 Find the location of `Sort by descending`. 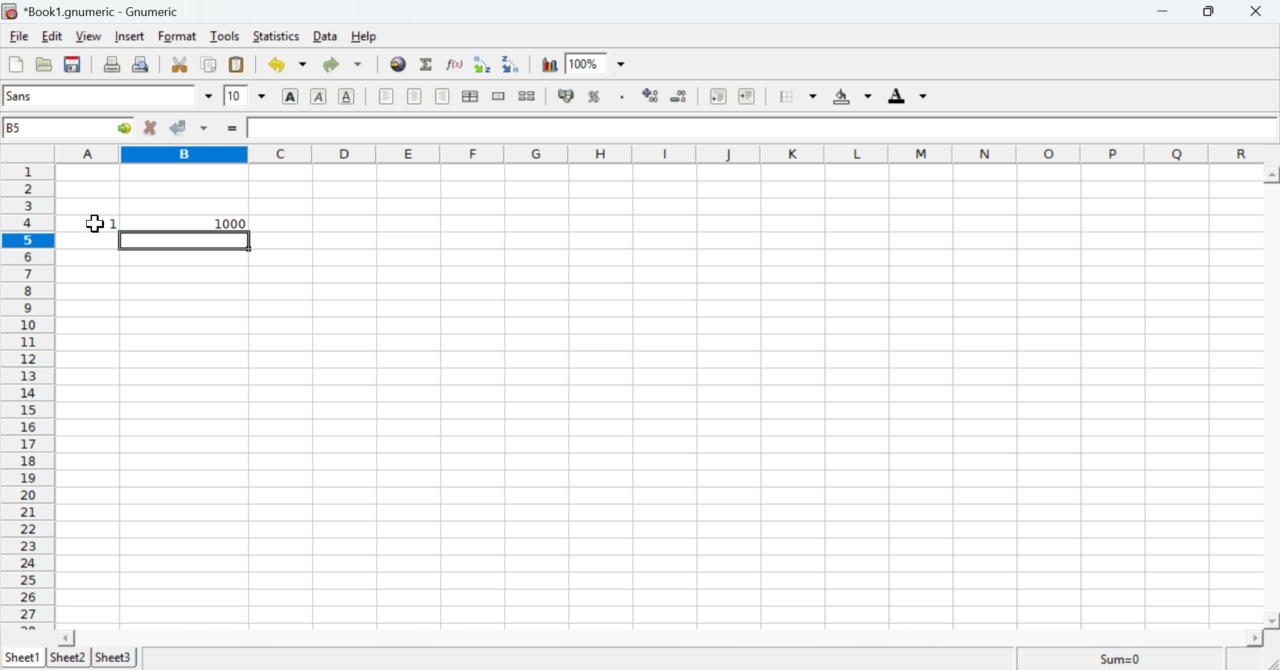

Sort by descending is located at coordinates (678, 96).